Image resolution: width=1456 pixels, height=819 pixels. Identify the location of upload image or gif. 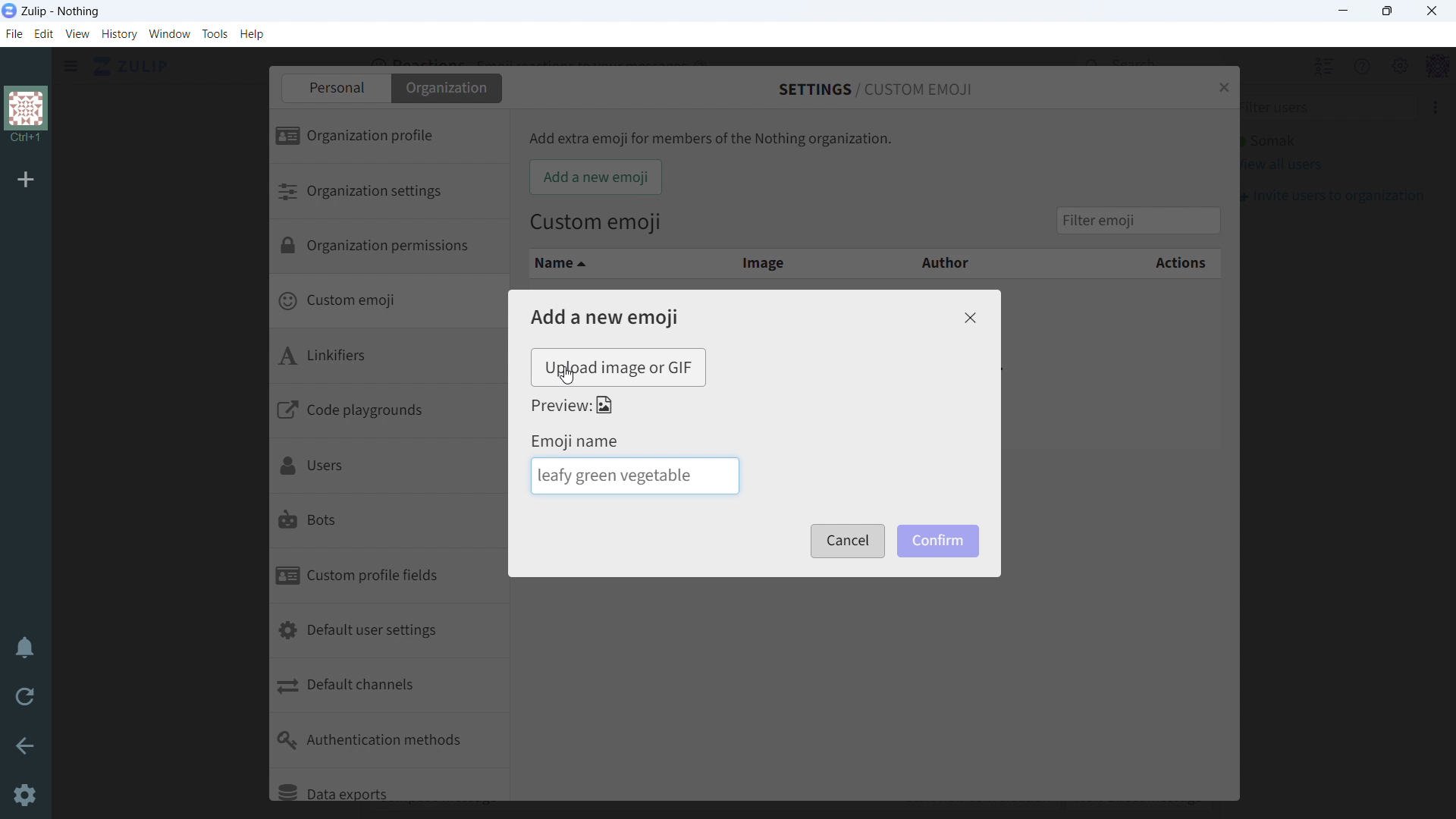
(619, 367).